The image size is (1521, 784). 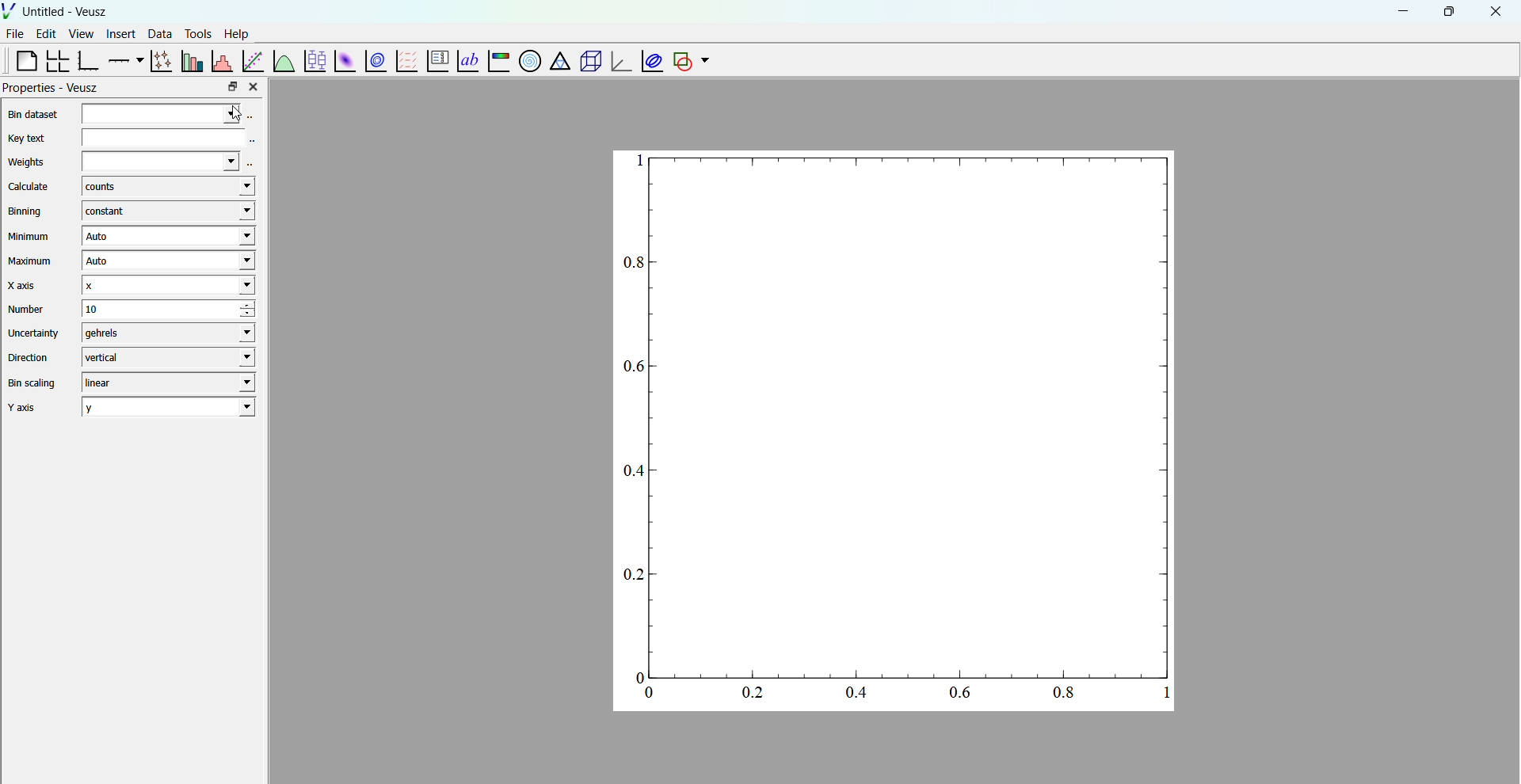 I want to click on plot covariance ellipses, so click(x=650, y=60).